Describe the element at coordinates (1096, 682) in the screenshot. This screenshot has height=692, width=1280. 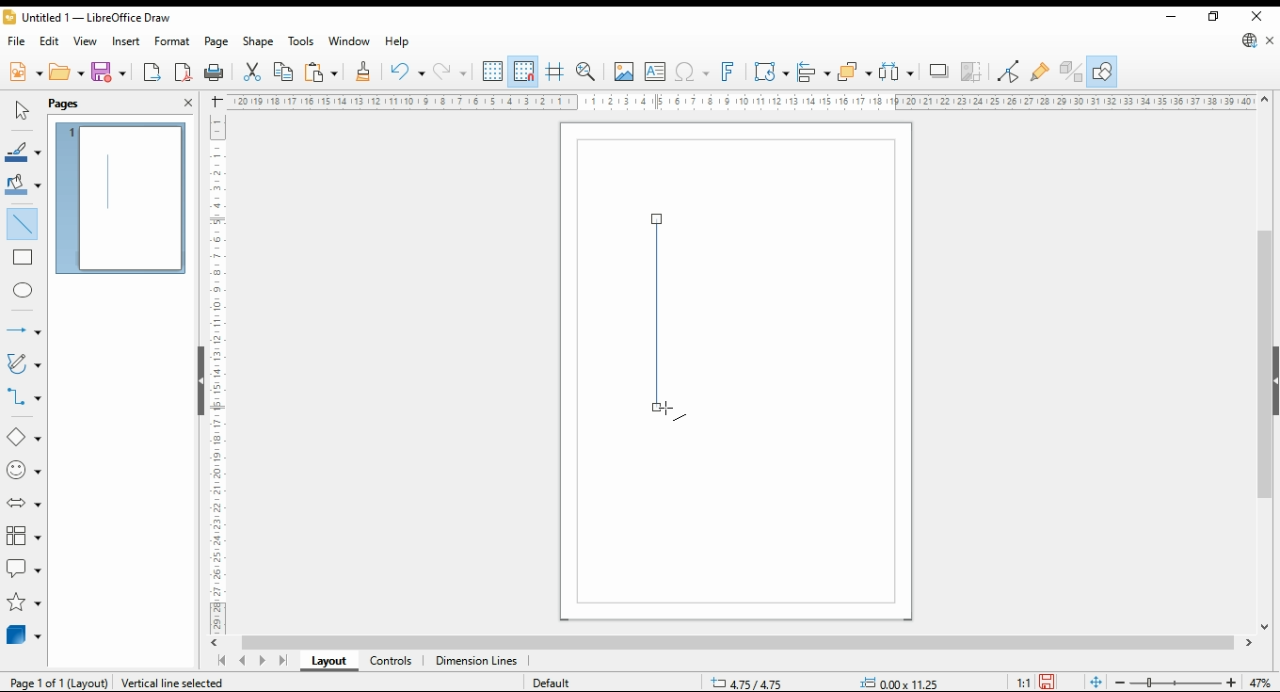
I see `fit page to current window` at that location.